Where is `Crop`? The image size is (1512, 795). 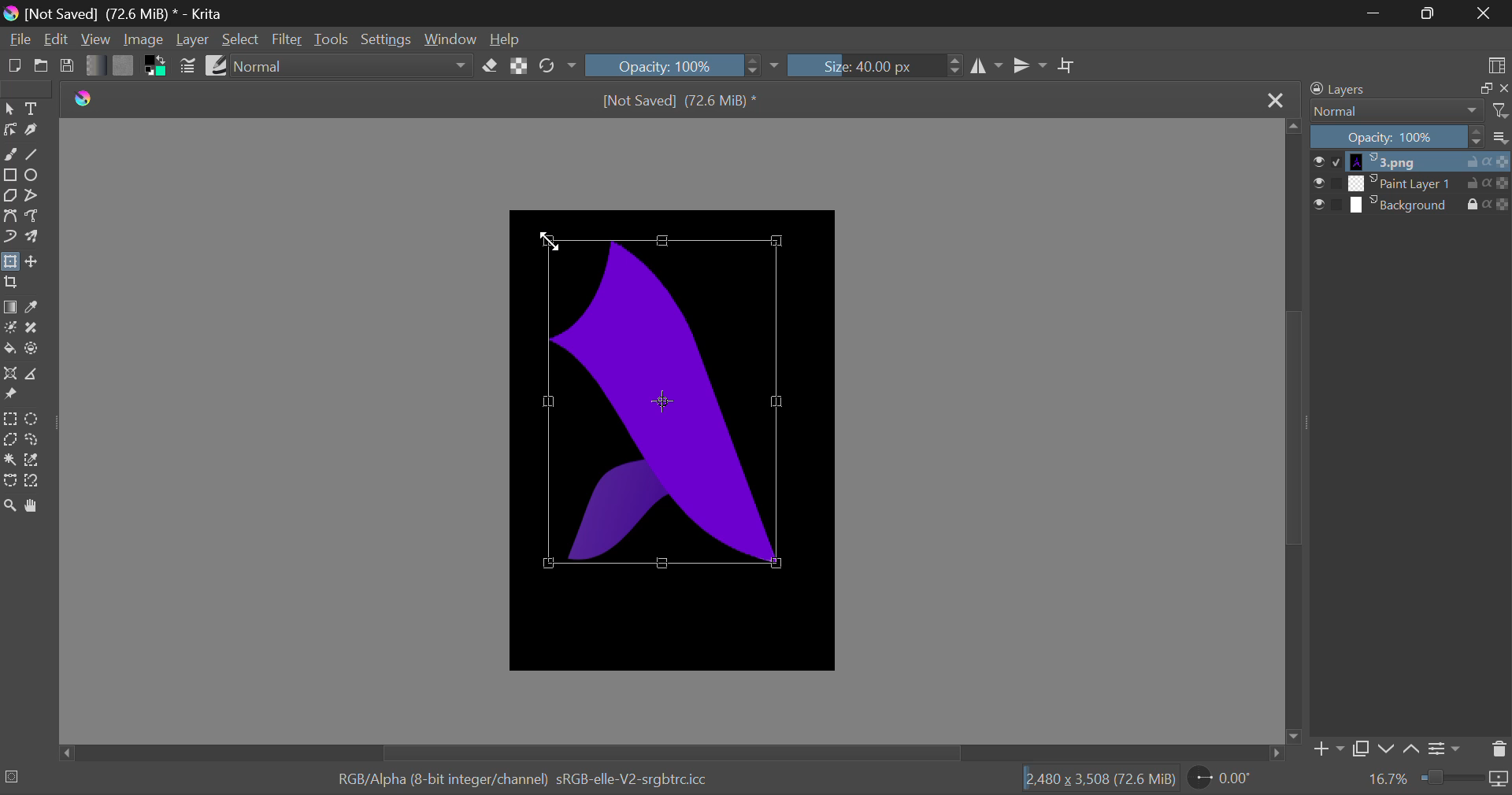 Crop is located at coordinates (1069, 67).